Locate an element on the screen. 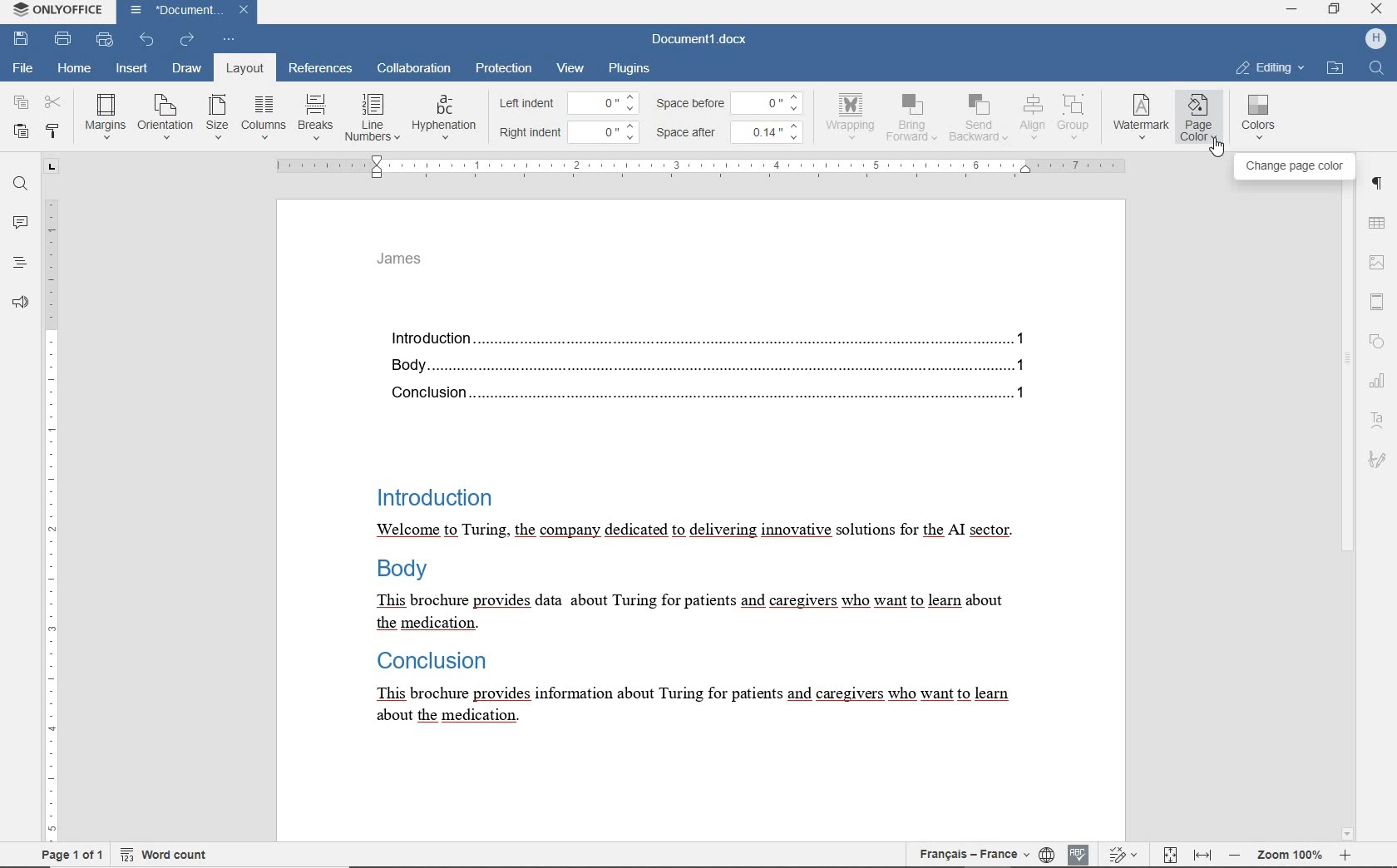  document name is located at coordinates (175, 12).